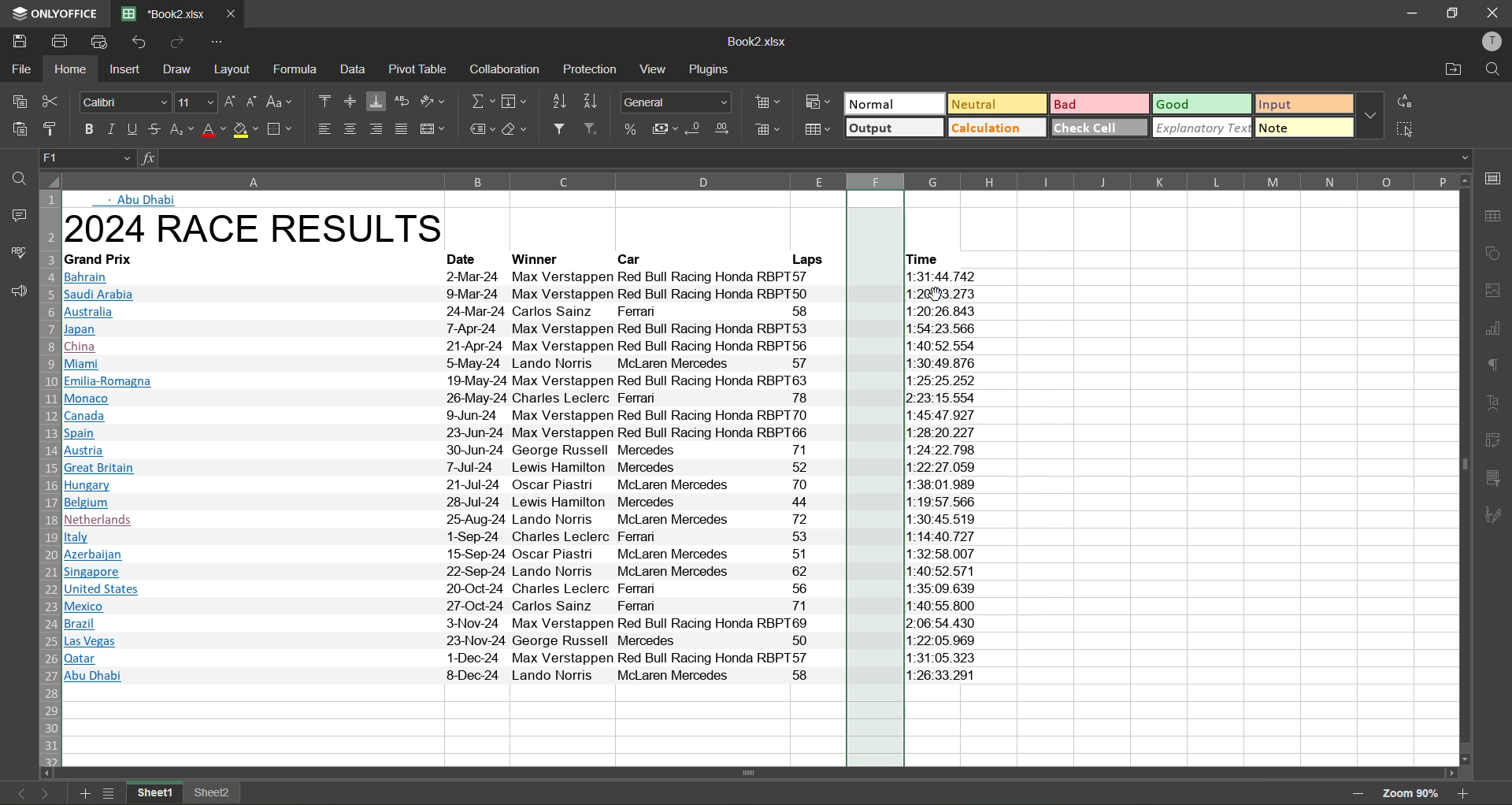 The width and height of the screenshot is (1512, 805). Describe the element at coordinates (1098, 104) in the screenshot. I see `bad` at that location.